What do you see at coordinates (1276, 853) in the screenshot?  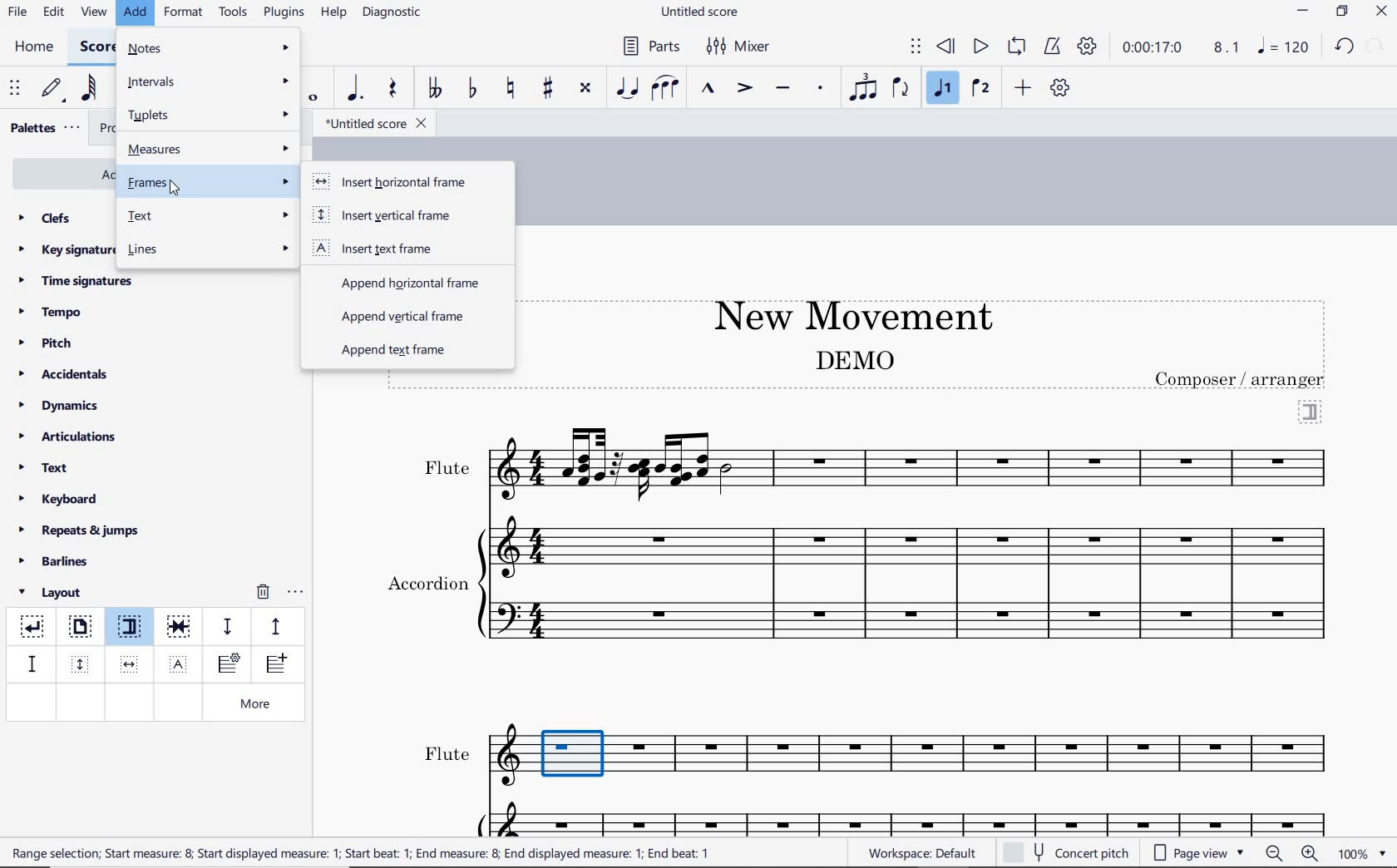 I see `zoom out` at bounding box center [1276, 853].